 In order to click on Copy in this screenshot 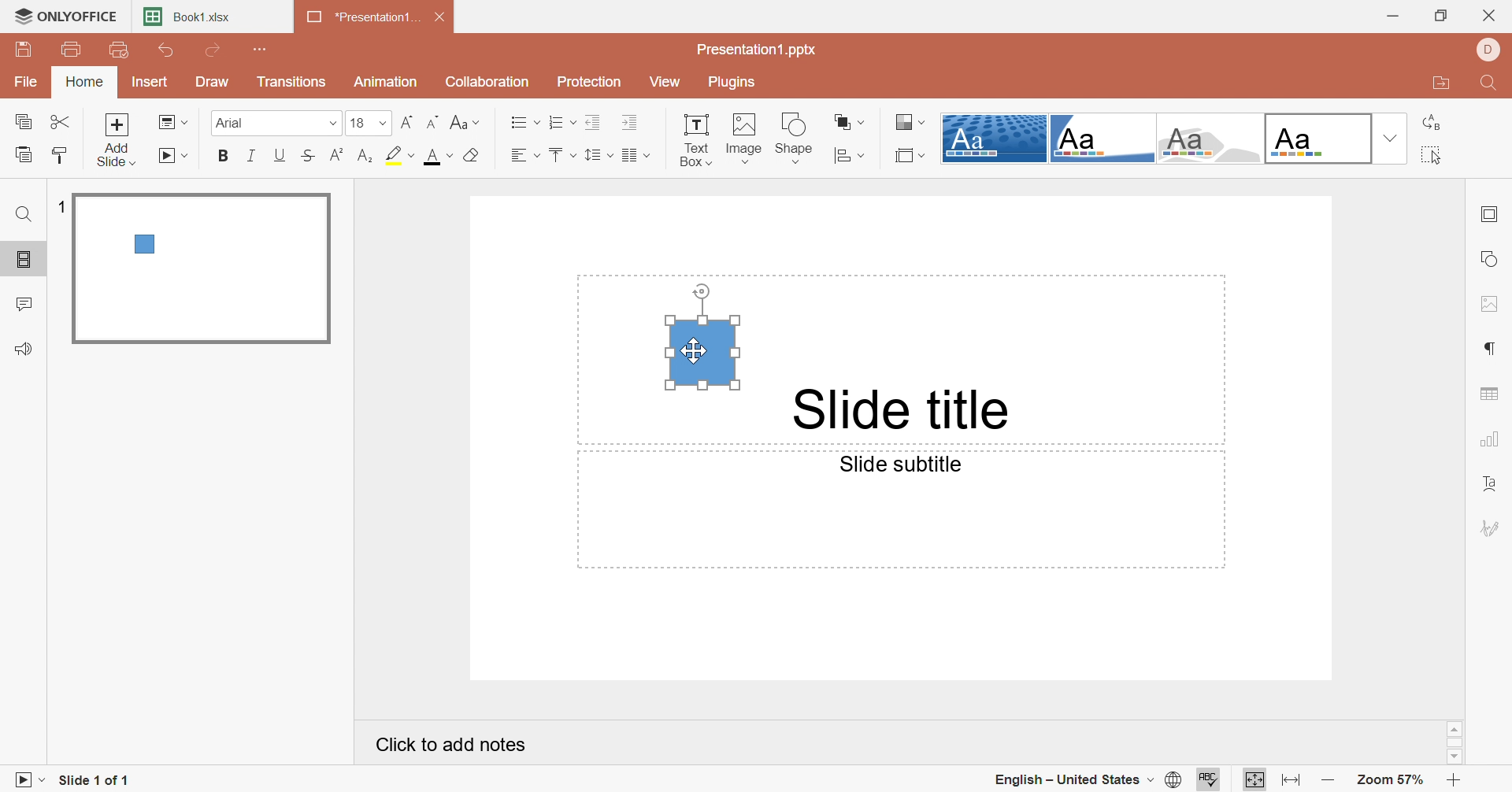, I will do `click(25, 121)`.